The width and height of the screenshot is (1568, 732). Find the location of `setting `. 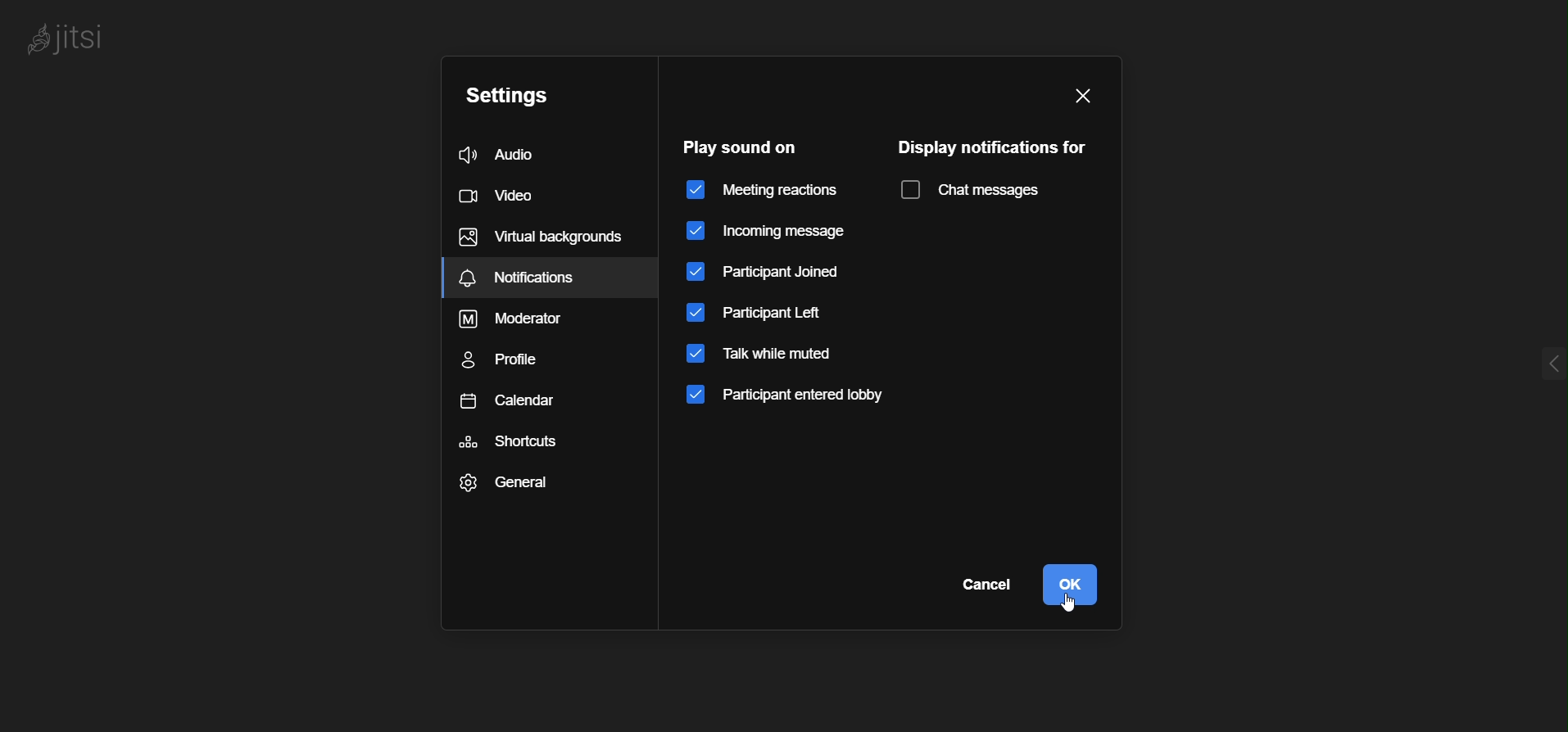

setting  is located at coordinates (511, 94).